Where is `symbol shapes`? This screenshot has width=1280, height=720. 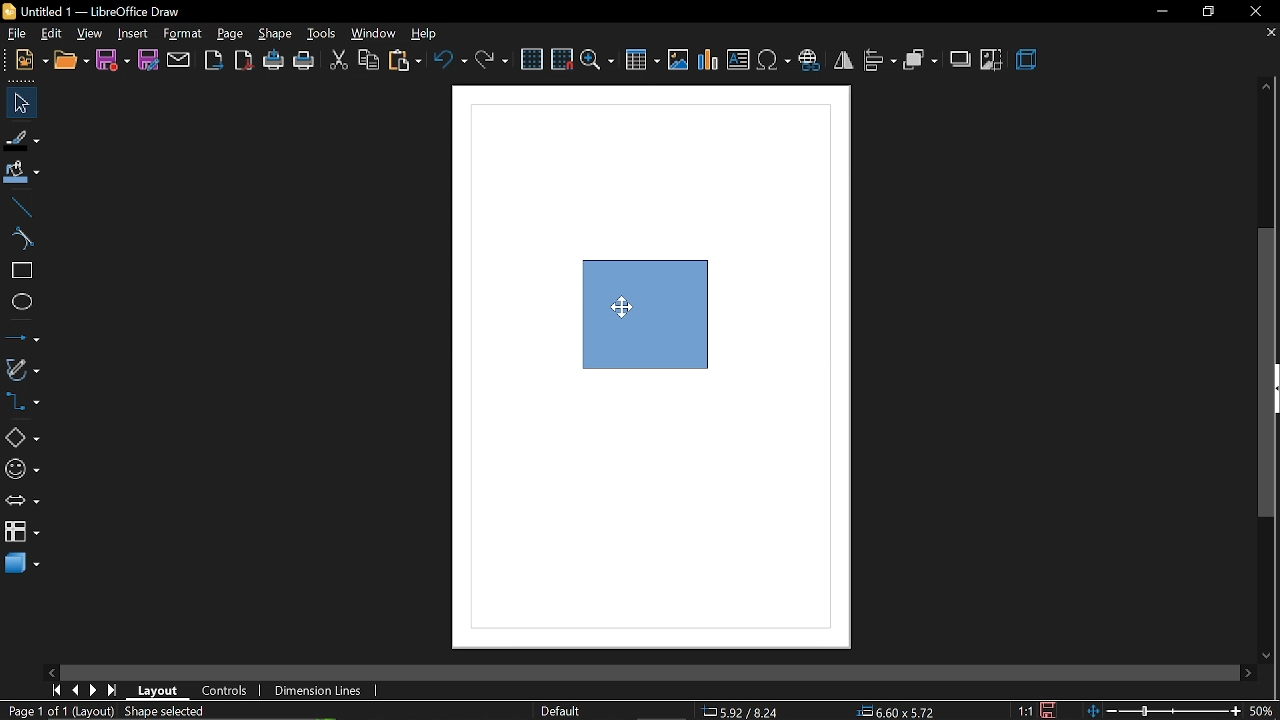 symbol shapes is located at coordinates (21, 470).